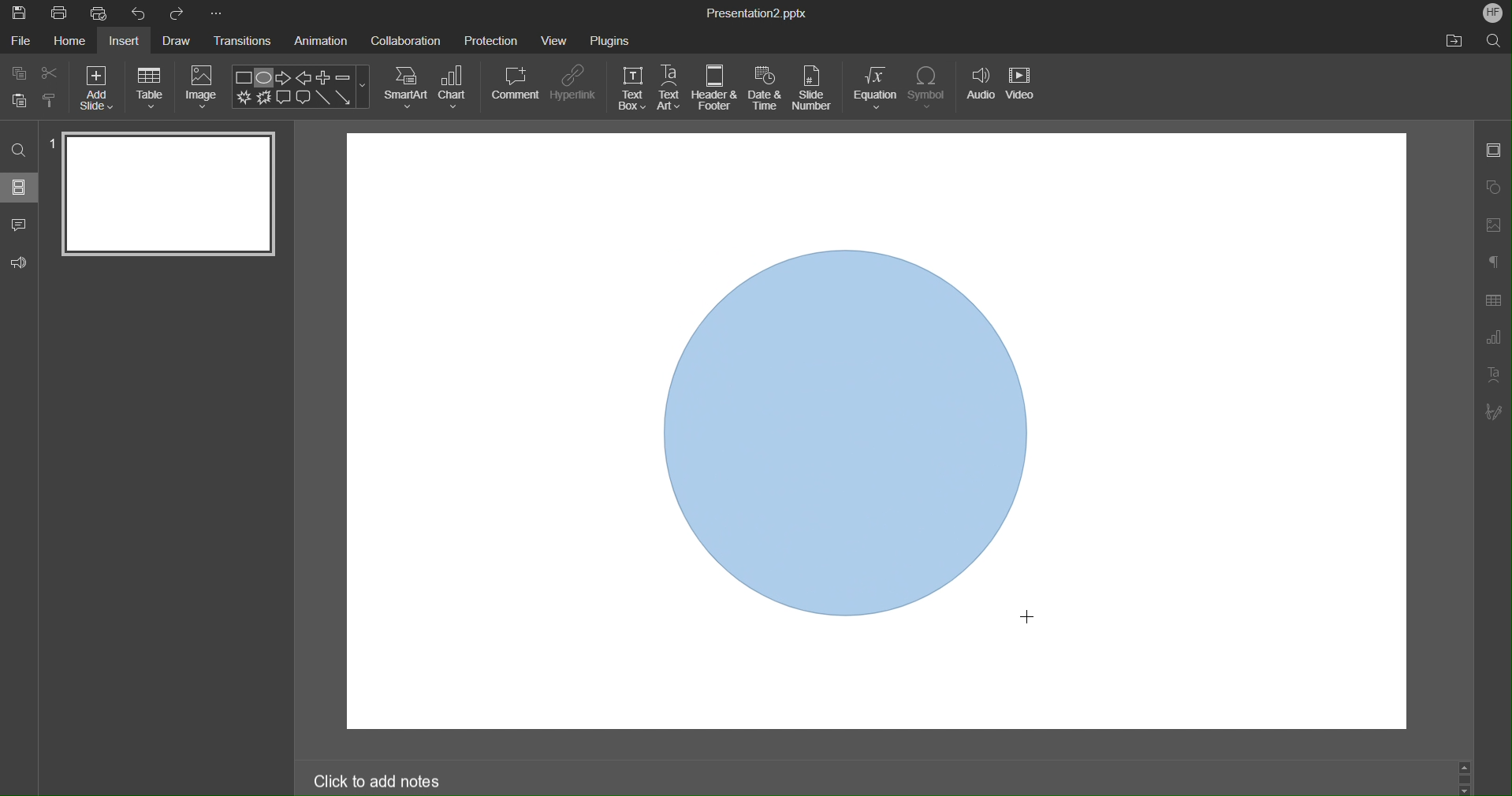  I want to click on Comment, so click(516, 83).